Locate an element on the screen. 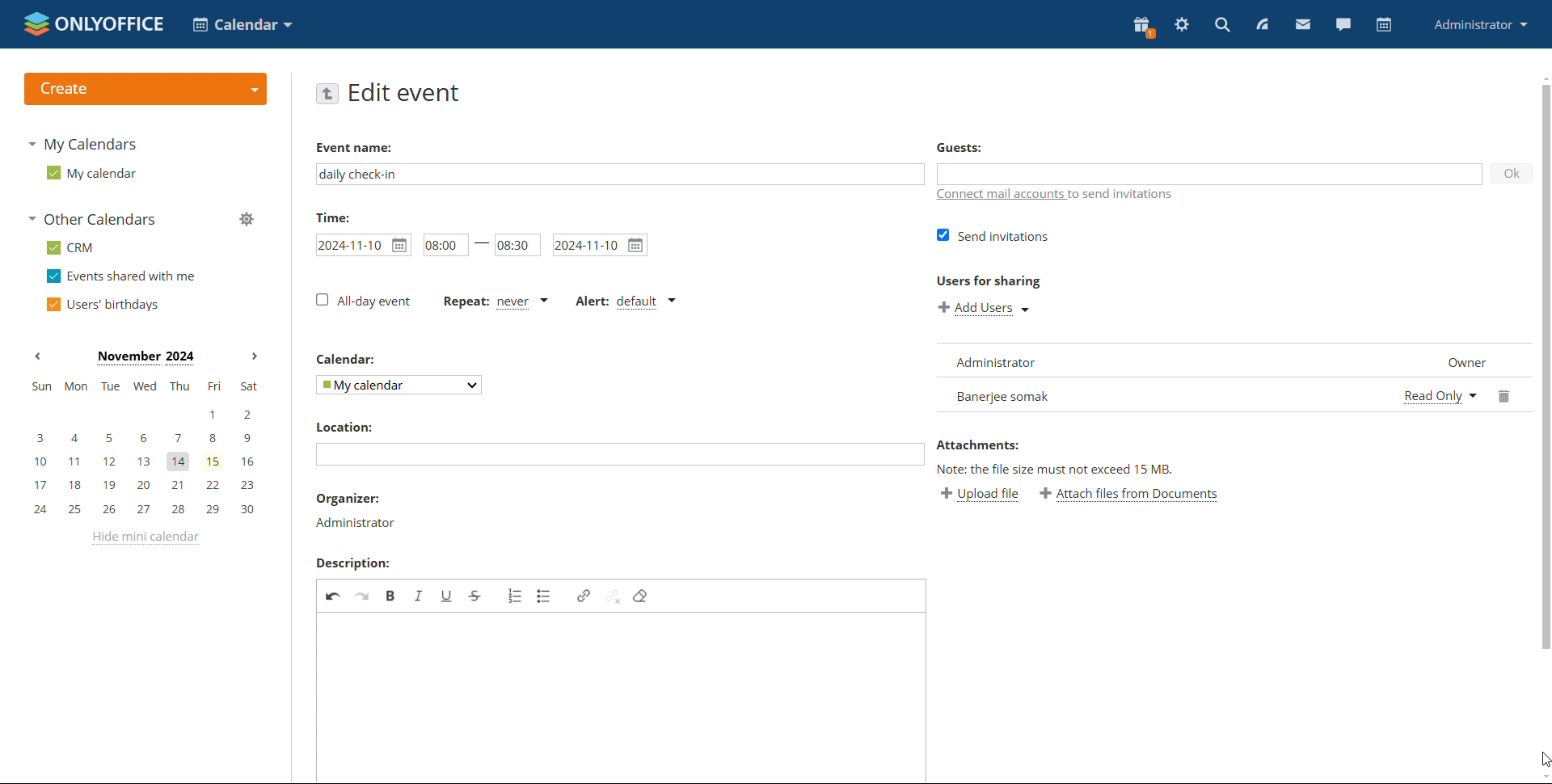 The height and width of the screenshot is (784, 1552). link is located at coordinates (584, 596).